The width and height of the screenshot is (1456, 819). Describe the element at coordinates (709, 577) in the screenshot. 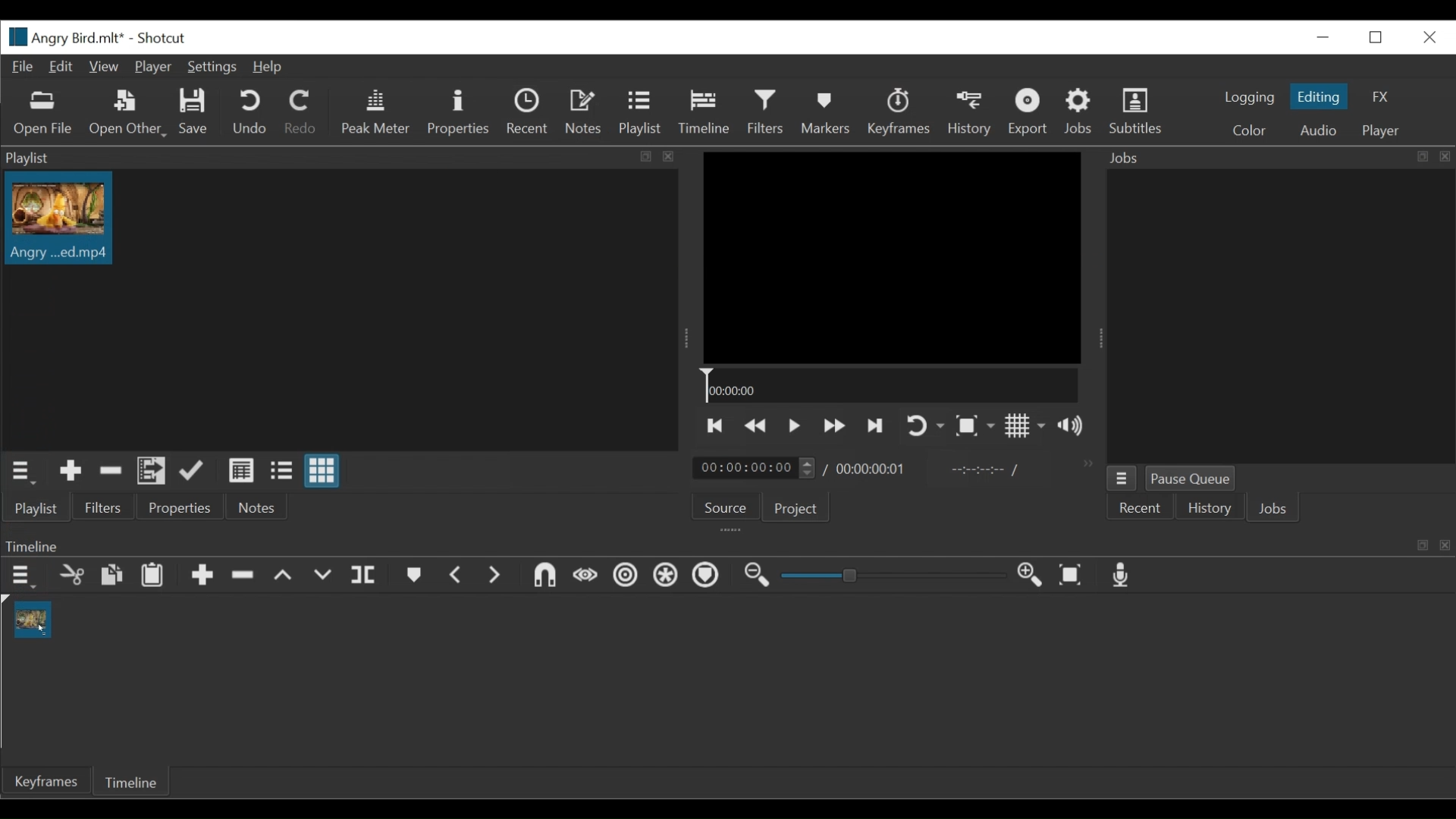

I see `Ripple Markers` at that location.